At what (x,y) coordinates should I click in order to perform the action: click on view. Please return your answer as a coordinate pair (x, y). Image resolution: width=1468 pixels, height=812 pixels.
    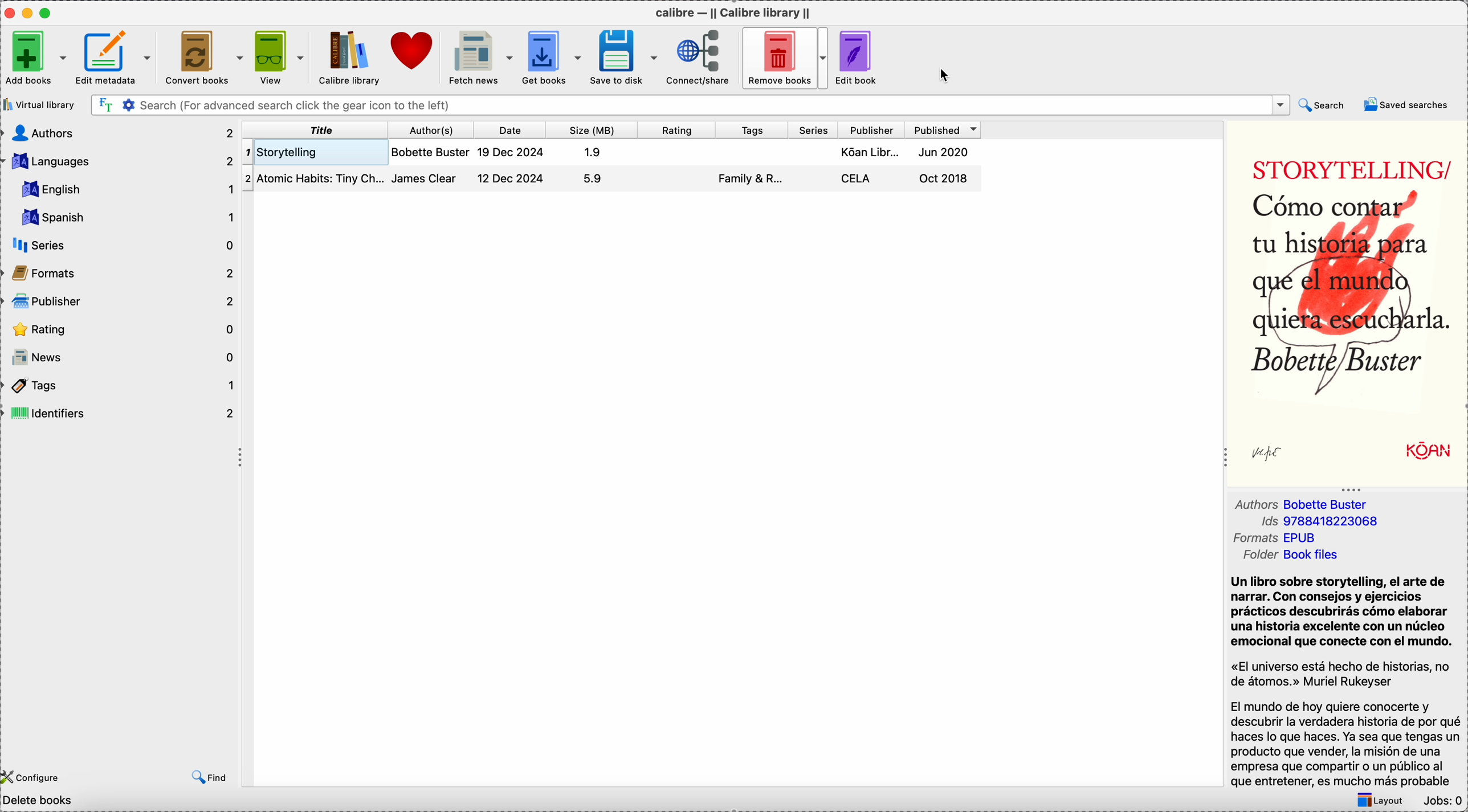
    Looking at the image, I should click on (278, 58).